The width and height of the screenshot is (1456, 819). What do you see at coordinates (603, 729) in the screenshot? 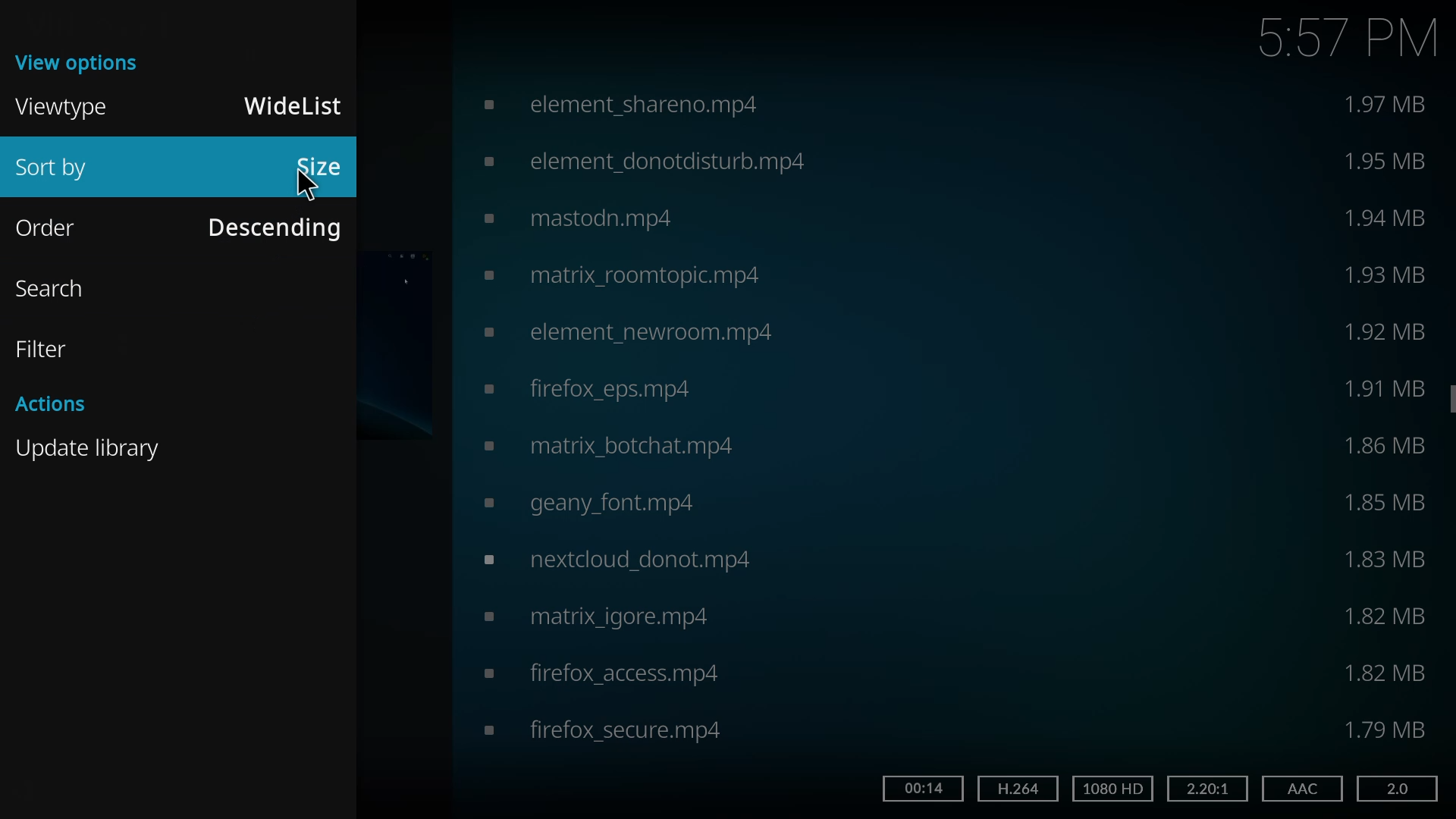
I see `video` at bounding box center [603, 729].